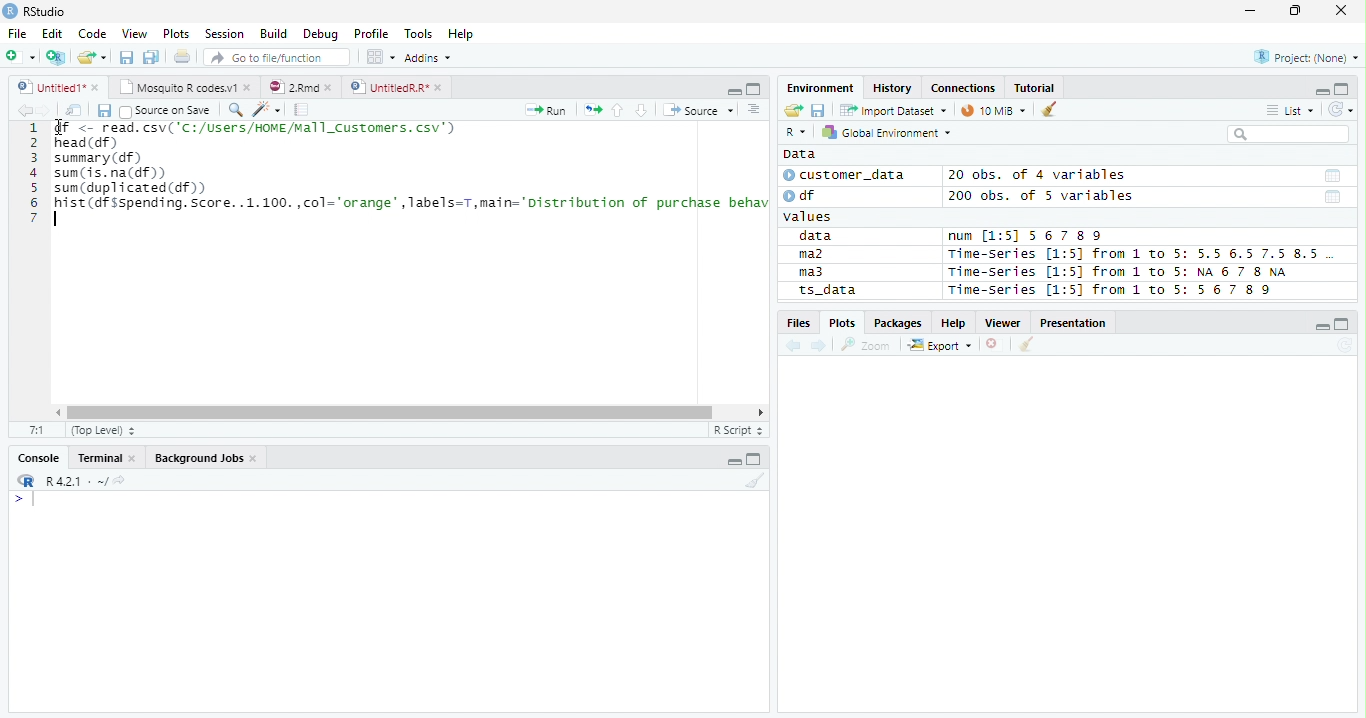 This screenshot has height=718, width=1366. What do you see at coordinates (1076, 323) in the screenshot?
I see `Presentation` at bounding box center [1076, 323].